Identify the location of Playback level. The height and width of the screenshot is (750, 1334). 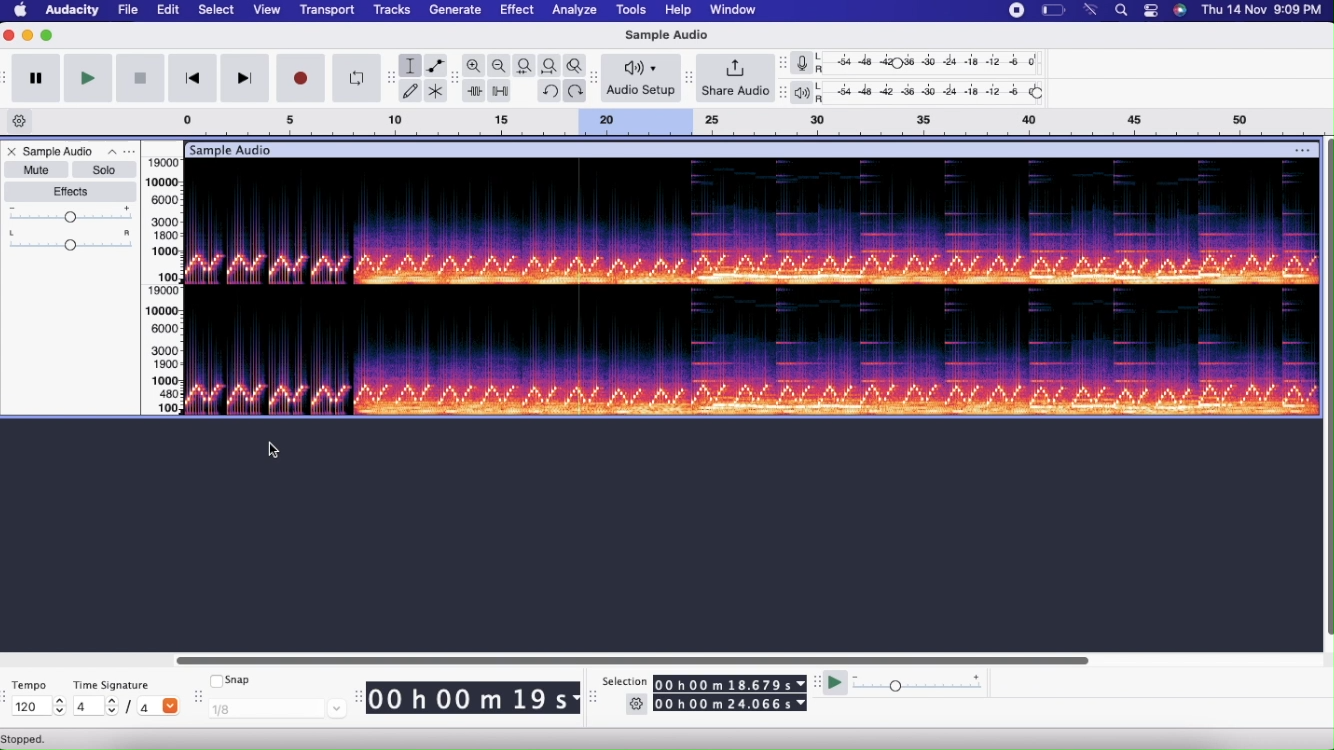
(940, 91).